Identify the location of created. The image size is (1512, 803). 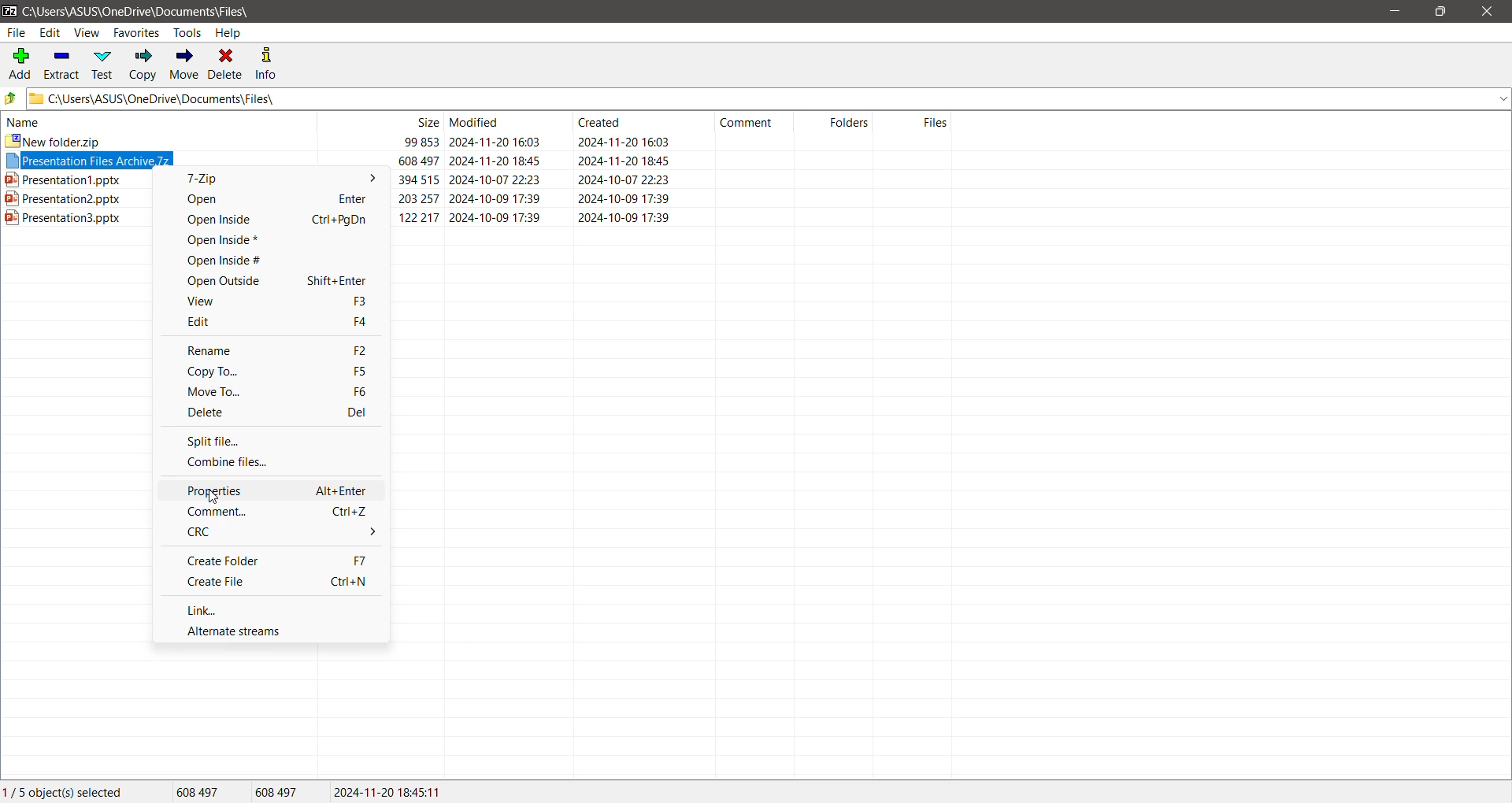
(635, 123).